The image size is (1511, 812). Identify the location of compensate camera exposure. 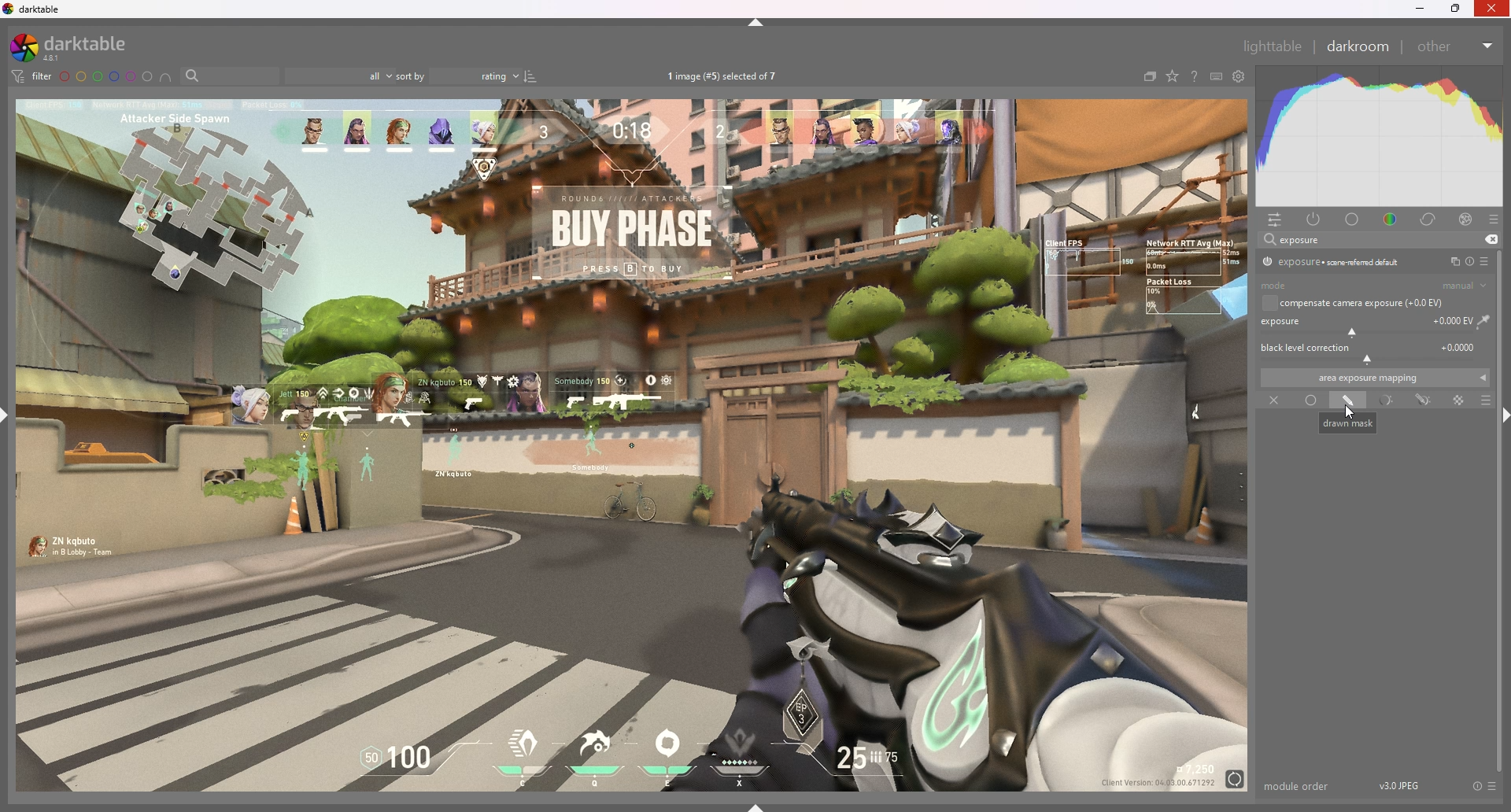
(1361, 303).